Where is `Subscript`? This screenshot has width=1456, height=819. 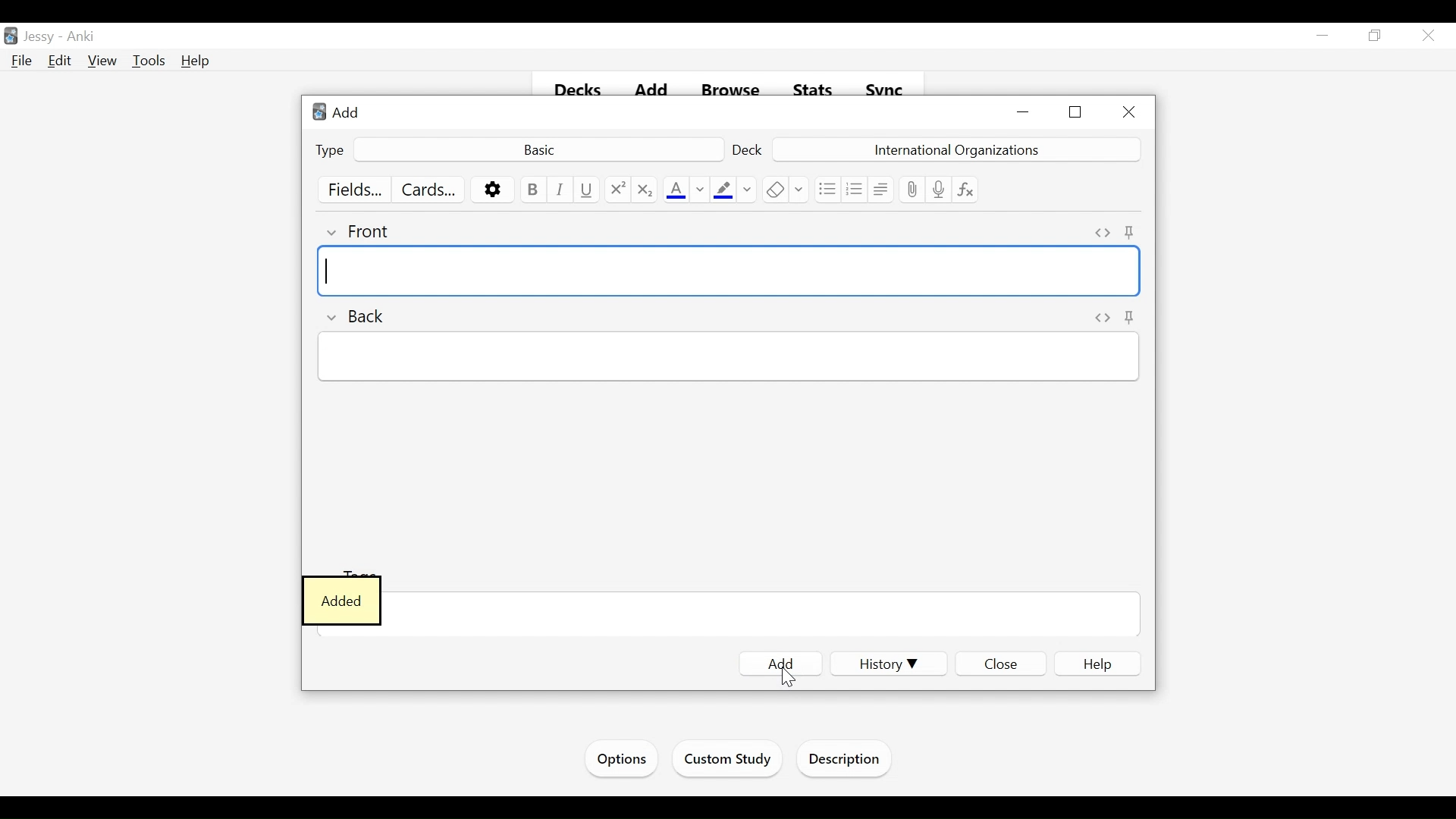
Subscript is located at coordinates (645, 190).